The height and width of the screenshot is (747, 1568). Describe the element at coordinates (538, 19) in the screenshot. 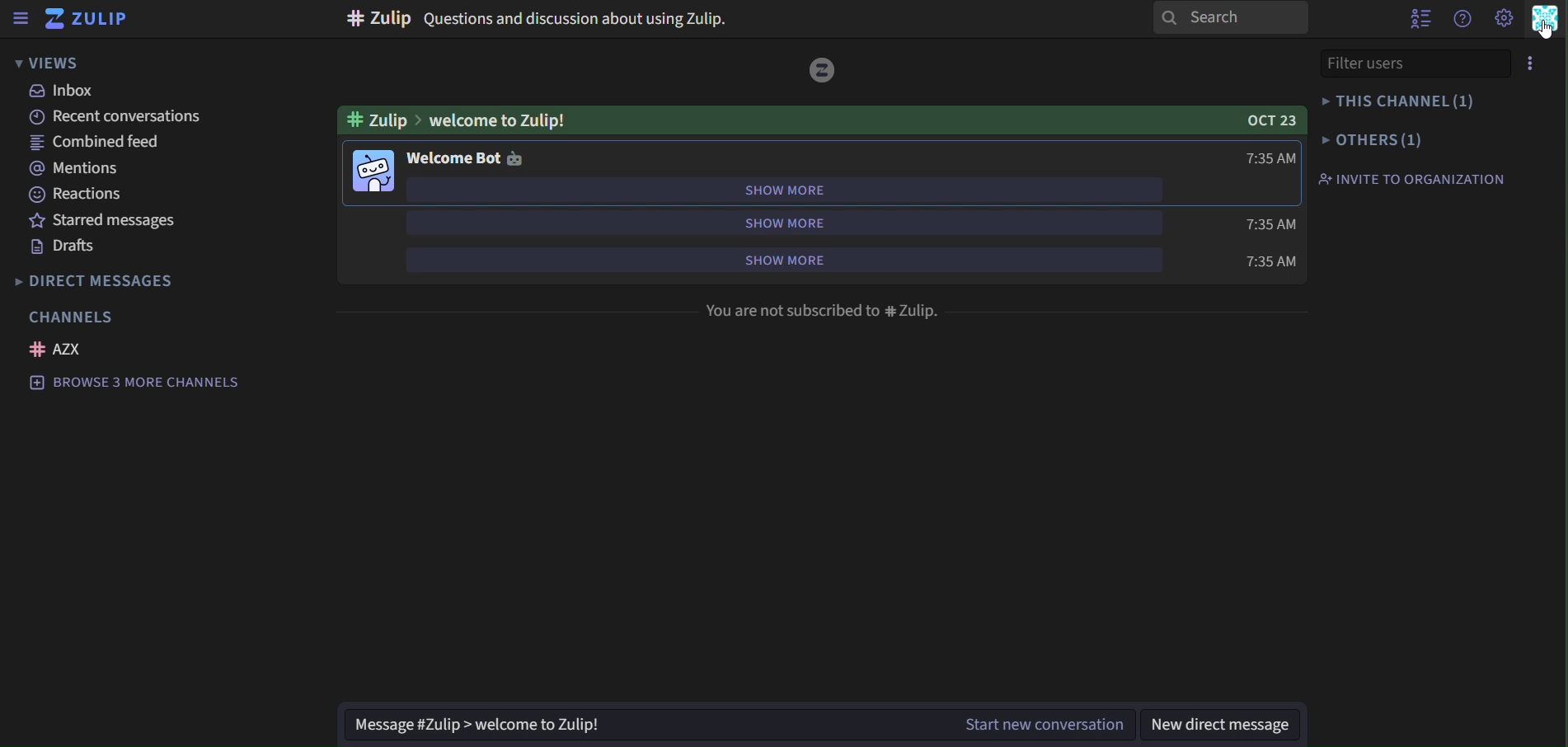

I see `Questions and discussion about using Zulip.` at that location.